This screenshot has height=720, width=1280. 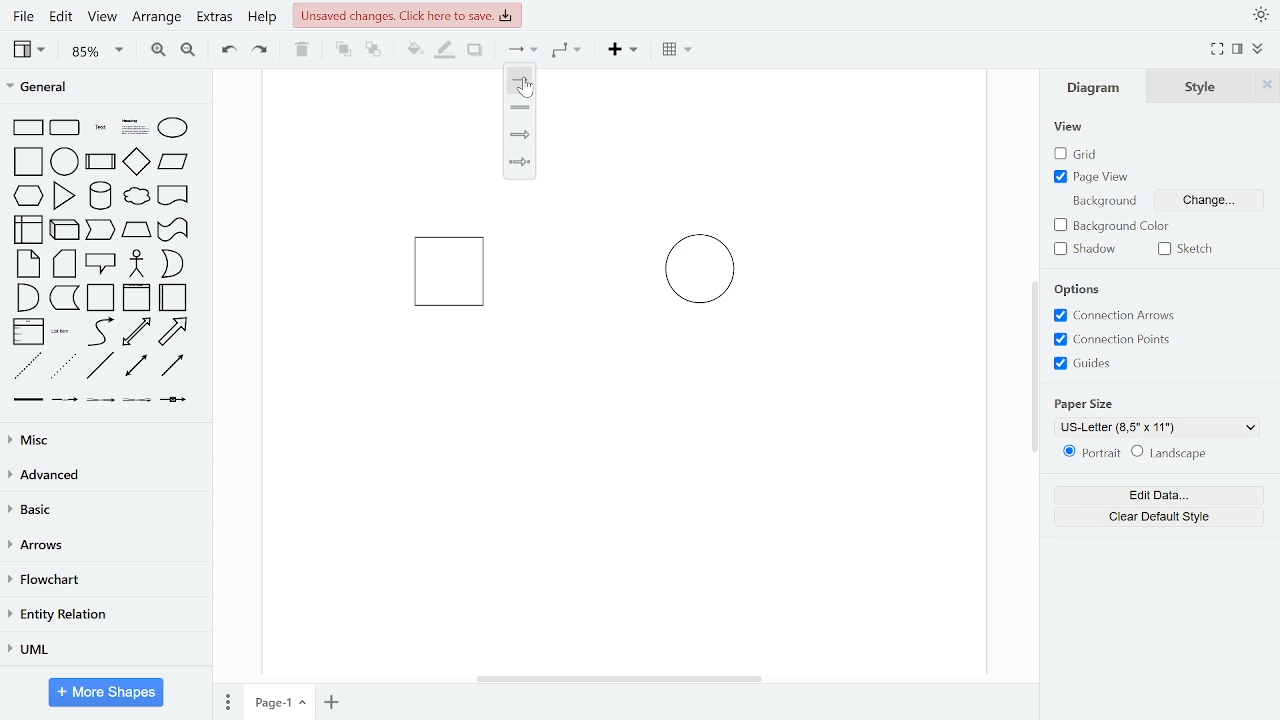 What do you see at coordinates (136, 163) in the screenshot?
I see `diamond` at bounding box center [136, 163].